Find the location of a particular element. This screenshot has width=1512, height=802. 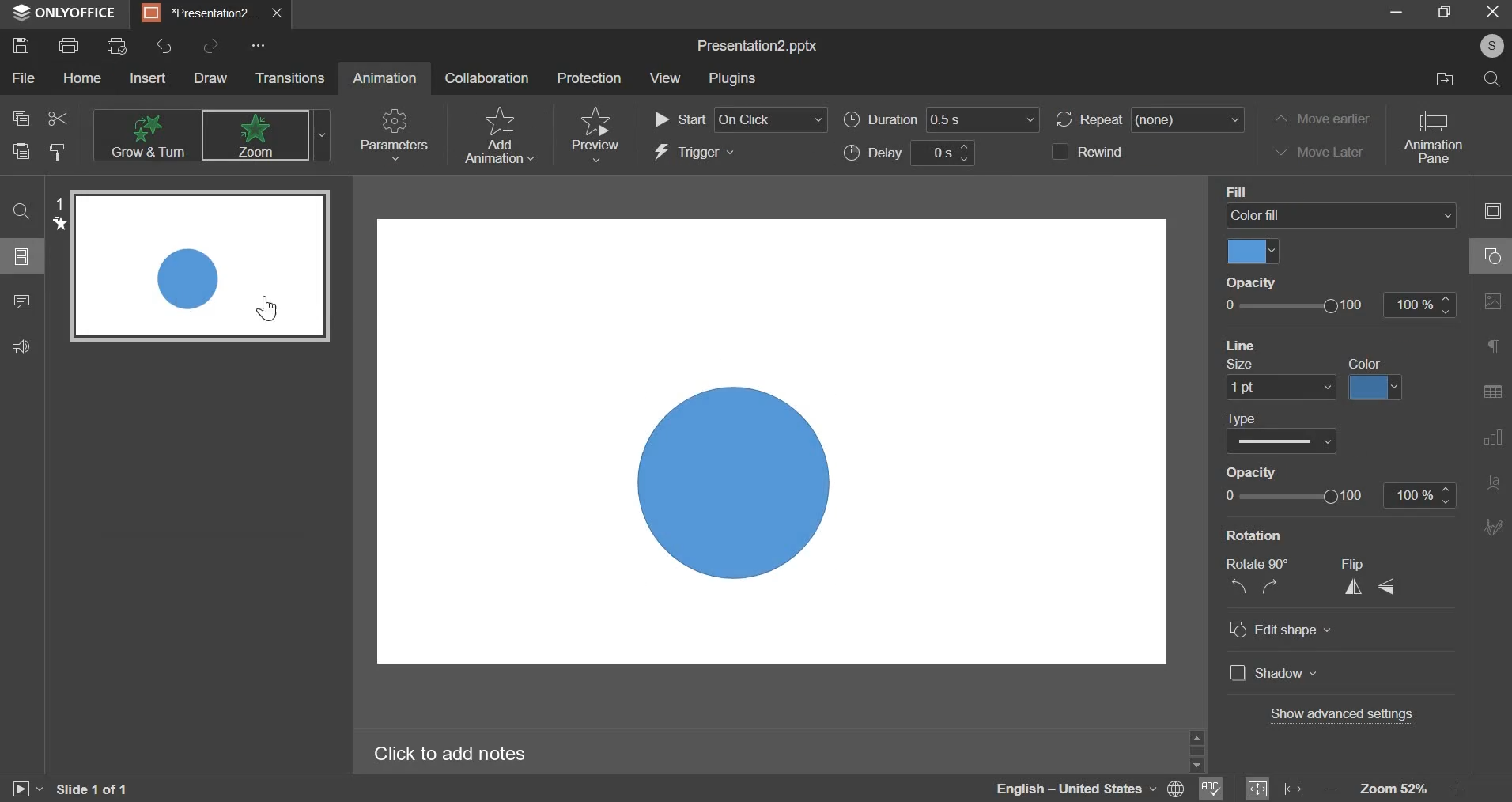

minimize is located at coordinates (1393, 13).